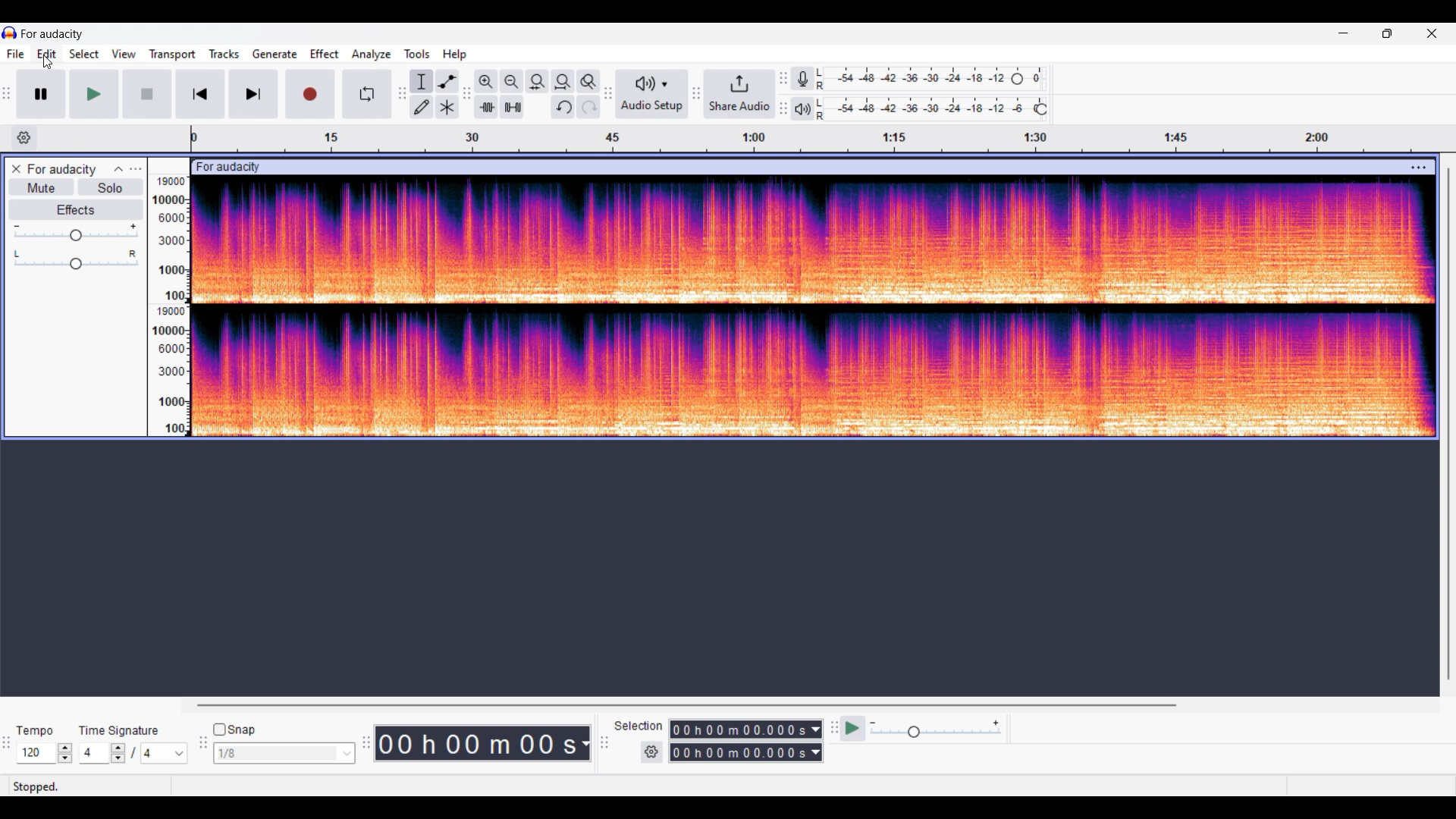  Describe the element at coordinates (816, 139) in the screenshot. I see `Scale to measure length of track` at that location.